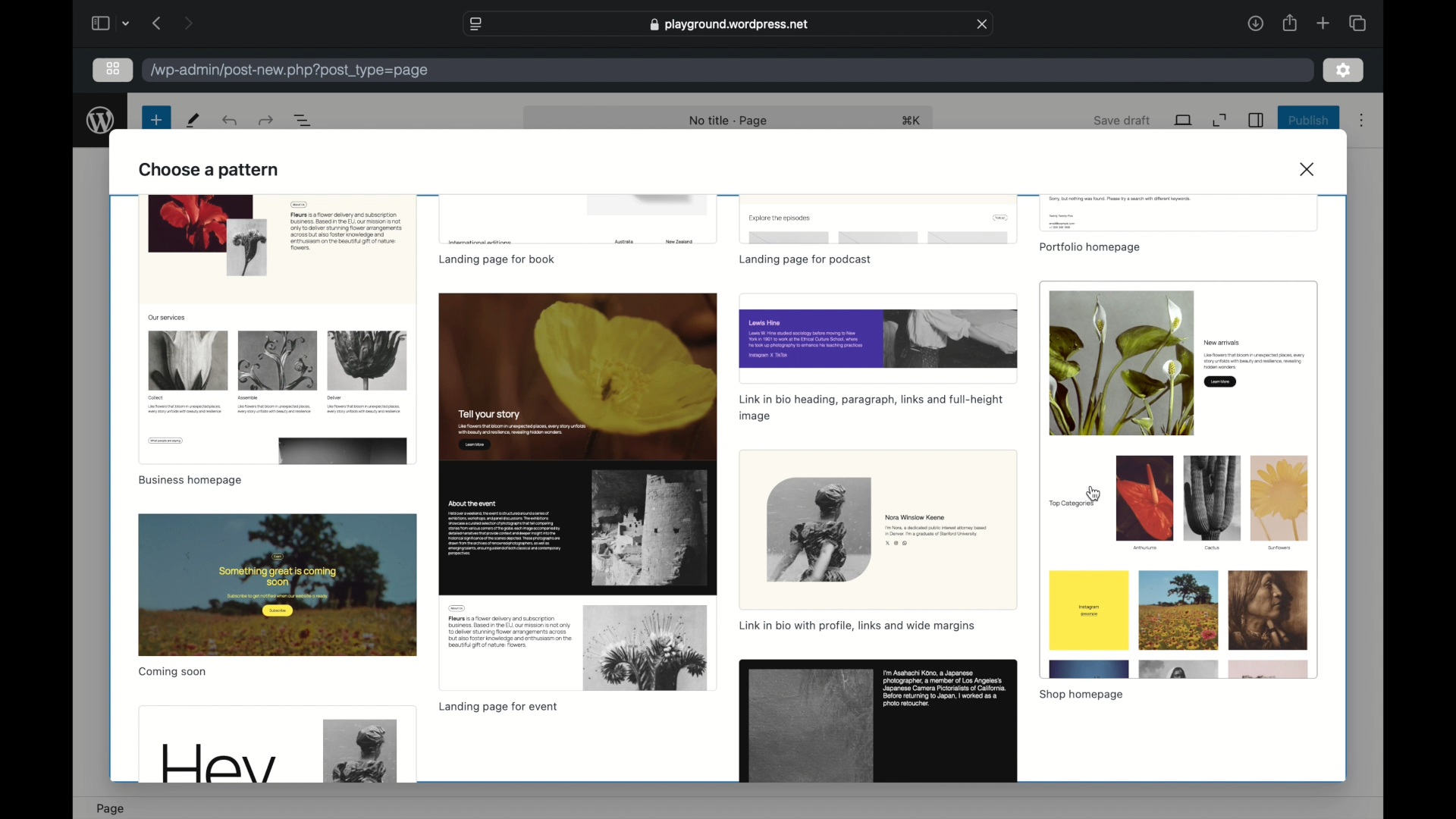 Image resolution: width=1456 pixels, height=819 pixels. I want to click on template name, so click(497, 259).